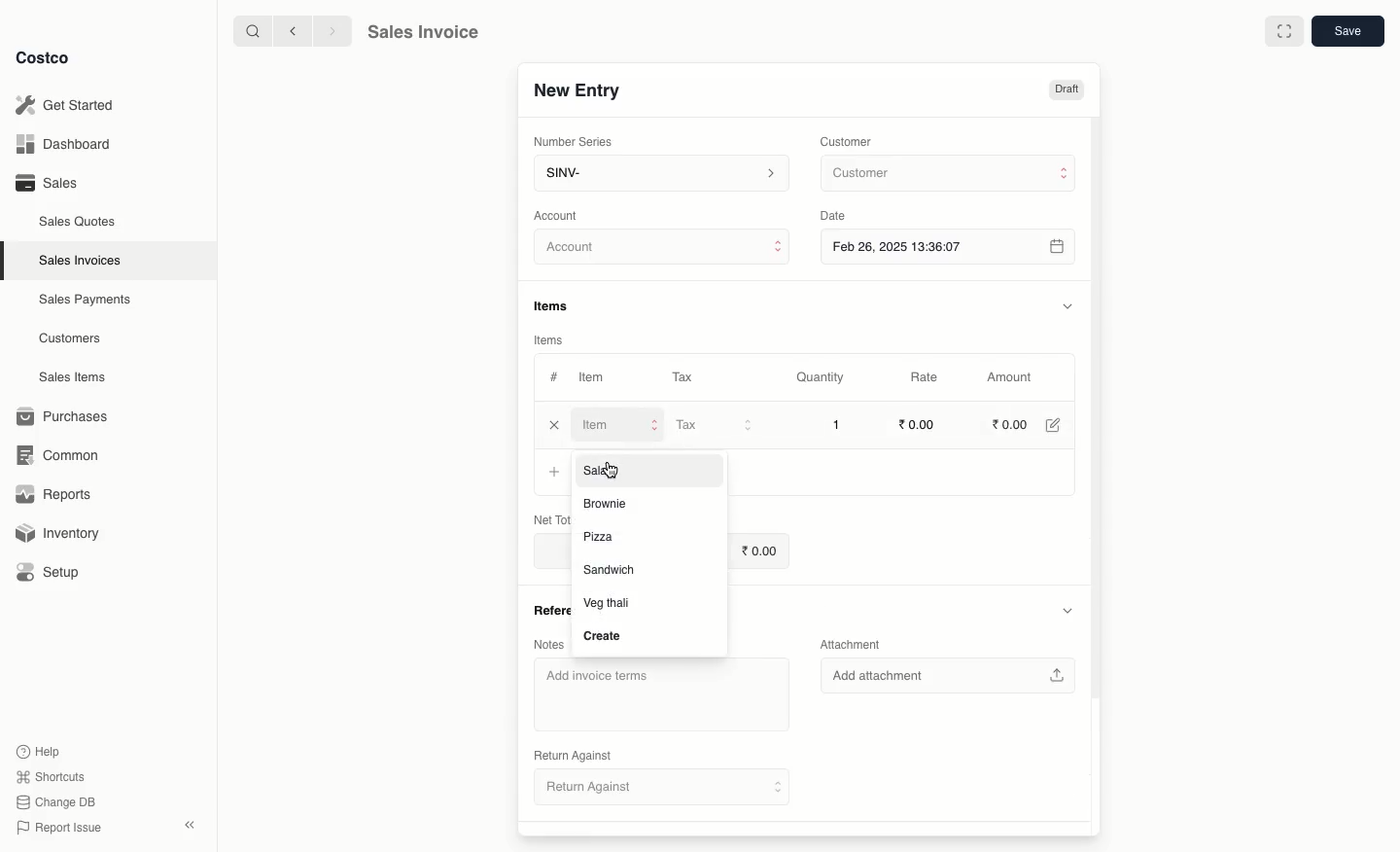 This screenshot has width=1400, height=852. What do you see at coordinates (576, 89) in the screenshot?
I see `New Entry` at bounding box center [576, 89].